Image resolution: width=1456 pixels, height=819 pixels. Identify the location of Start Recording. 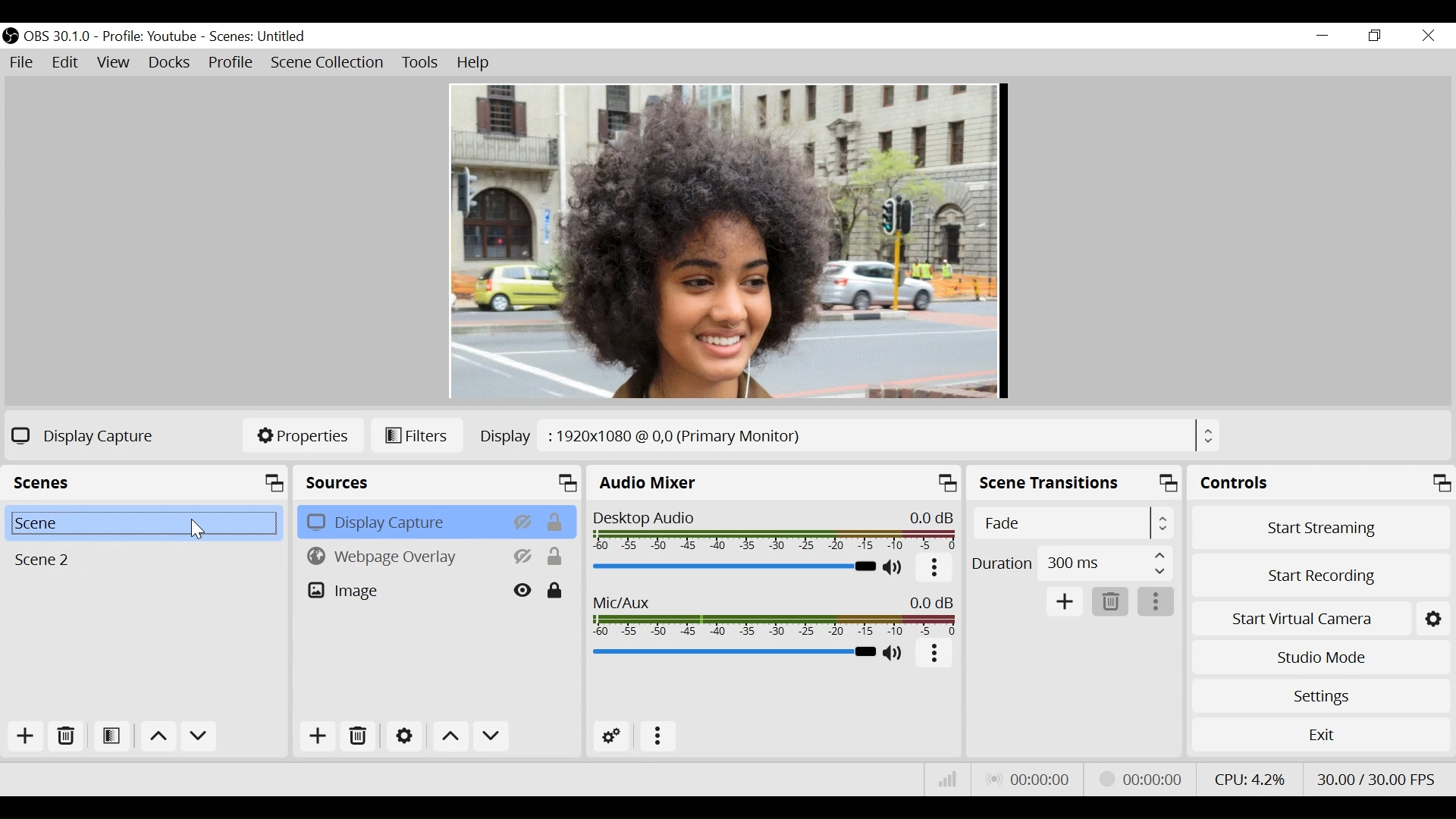
(1318, 578).